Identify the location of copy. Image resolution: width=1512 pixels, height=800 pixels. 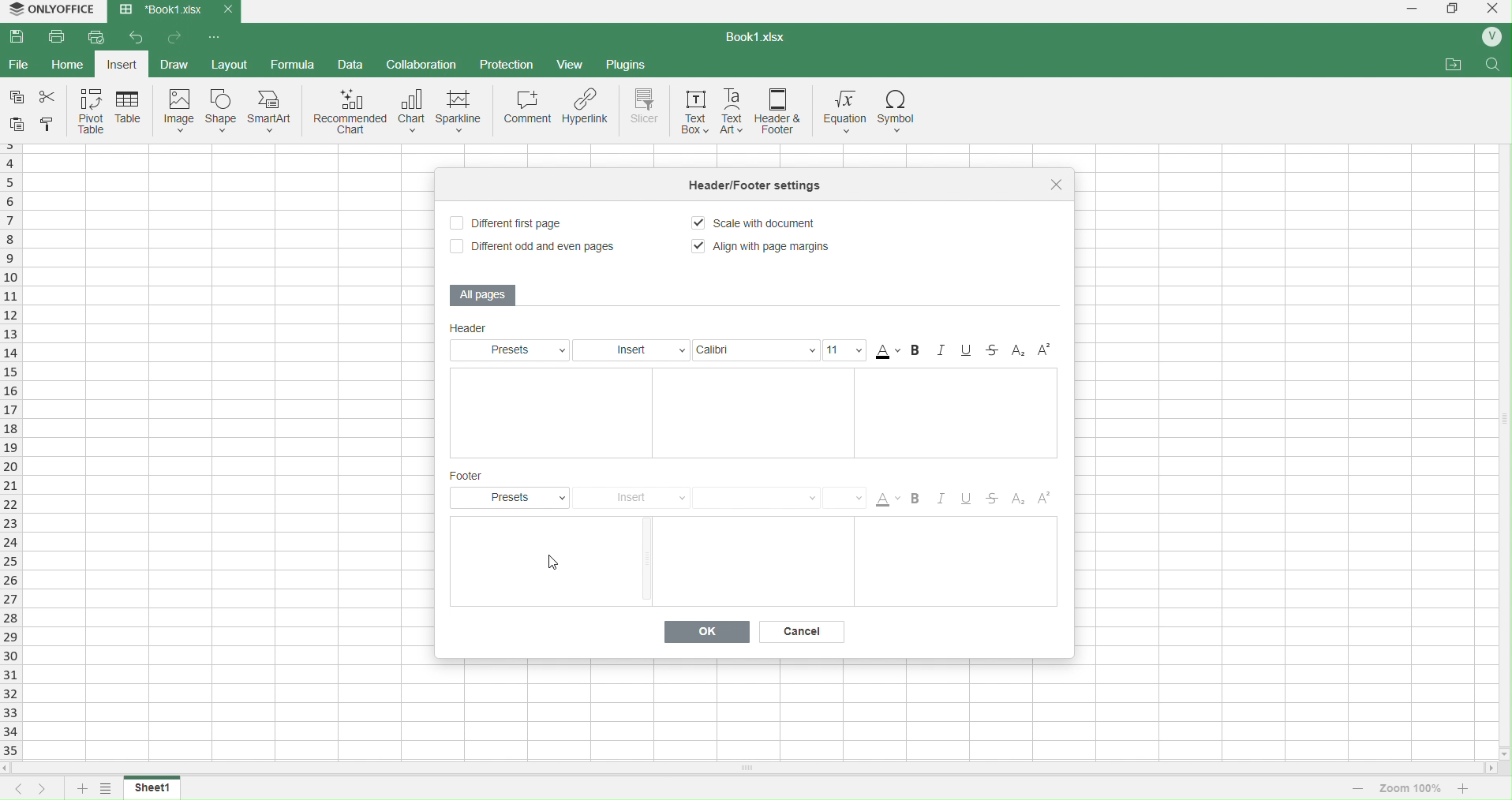
(18, 96).